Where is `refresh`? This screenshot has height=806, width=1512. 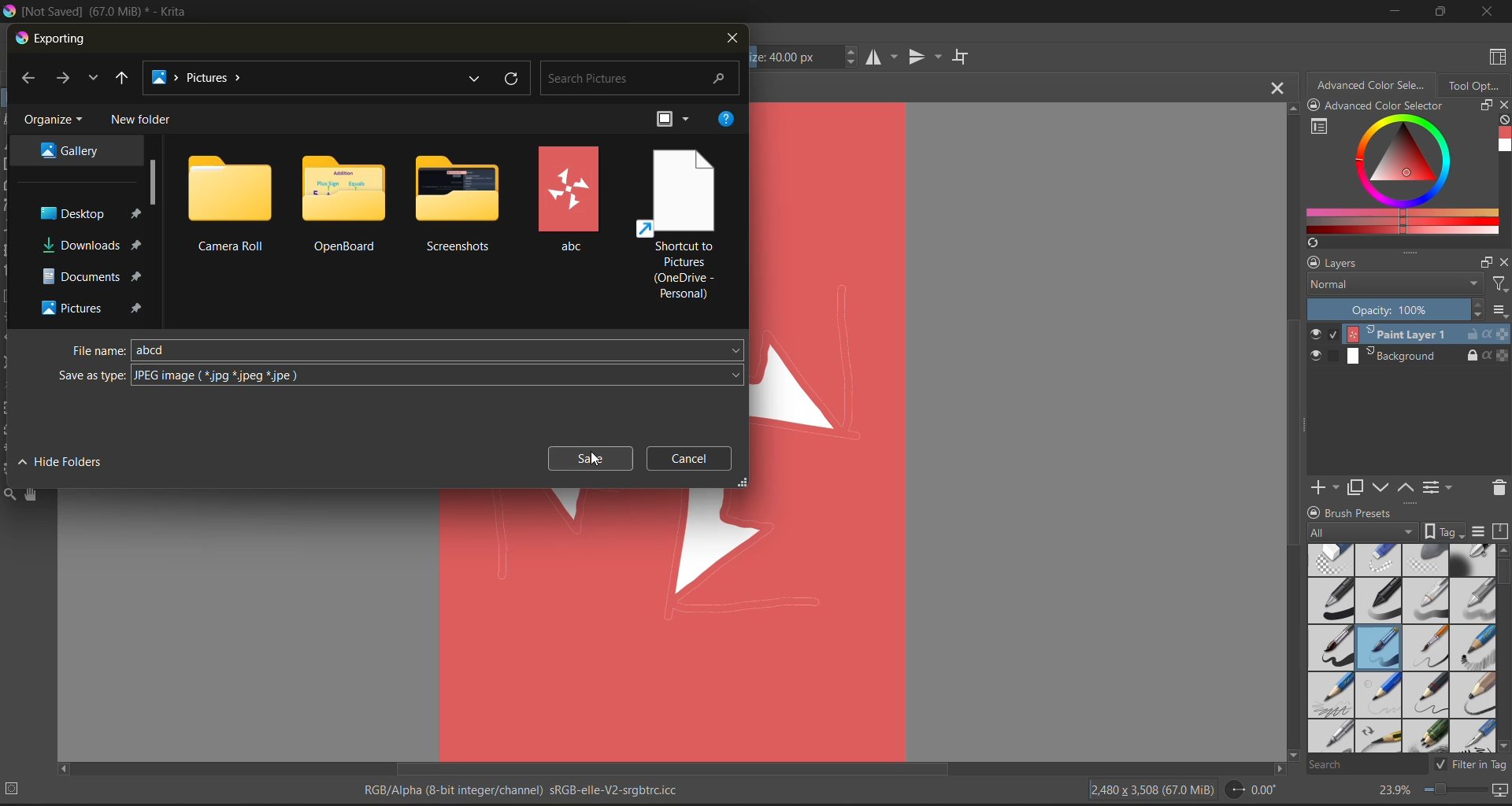 refresh is located at coordinates (514, 80).